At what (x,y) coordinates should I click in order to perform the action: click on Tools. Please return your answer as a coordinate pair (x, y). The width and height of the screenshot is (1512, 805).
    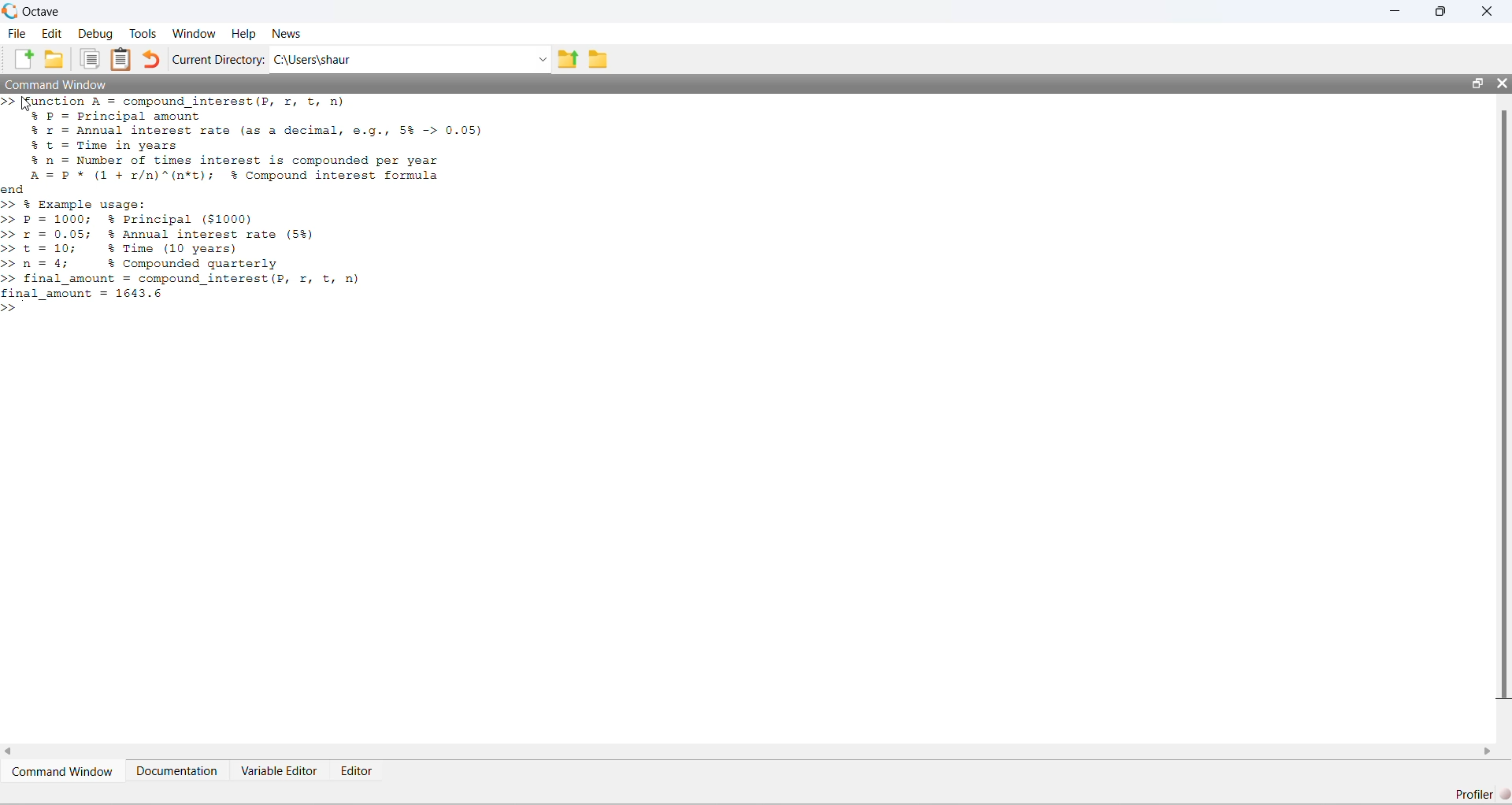
    Looking at the image, I should click on (143, 33).